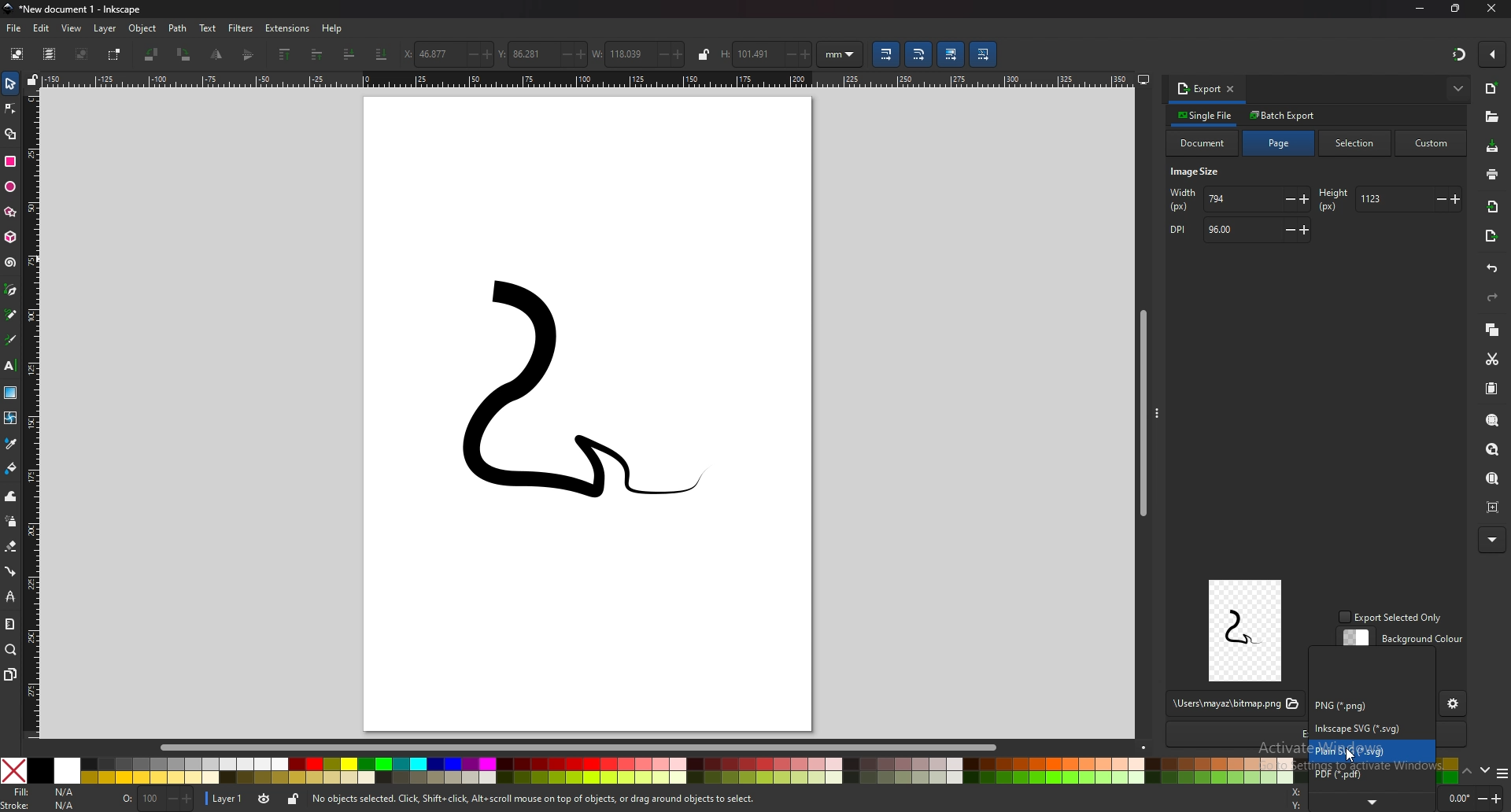 This screenshot has height=812, width=1511. What do you see at coordinates (10, 238) in the screenshot?
I see `3d box` at bounding box center [10, 238].